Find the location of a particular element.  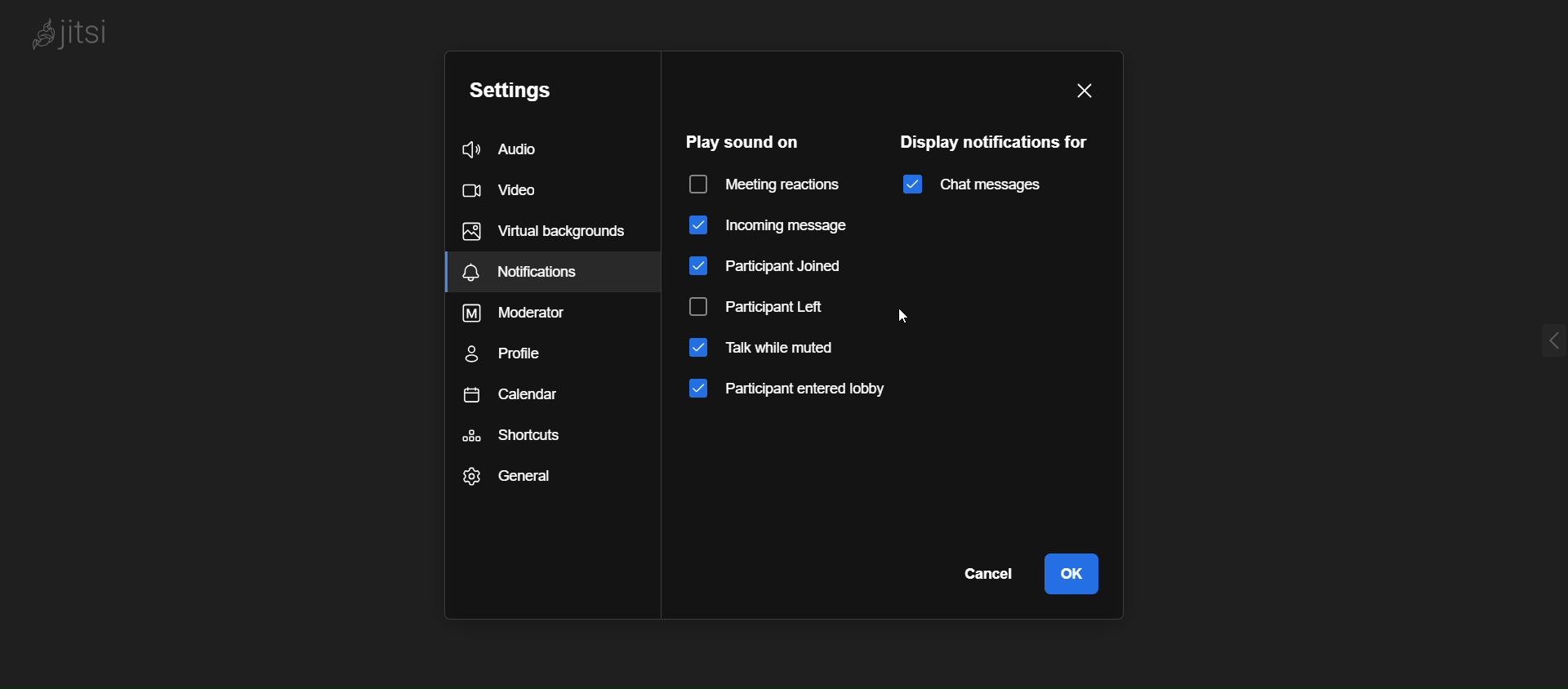

notification is located at coordinates (543, 274).